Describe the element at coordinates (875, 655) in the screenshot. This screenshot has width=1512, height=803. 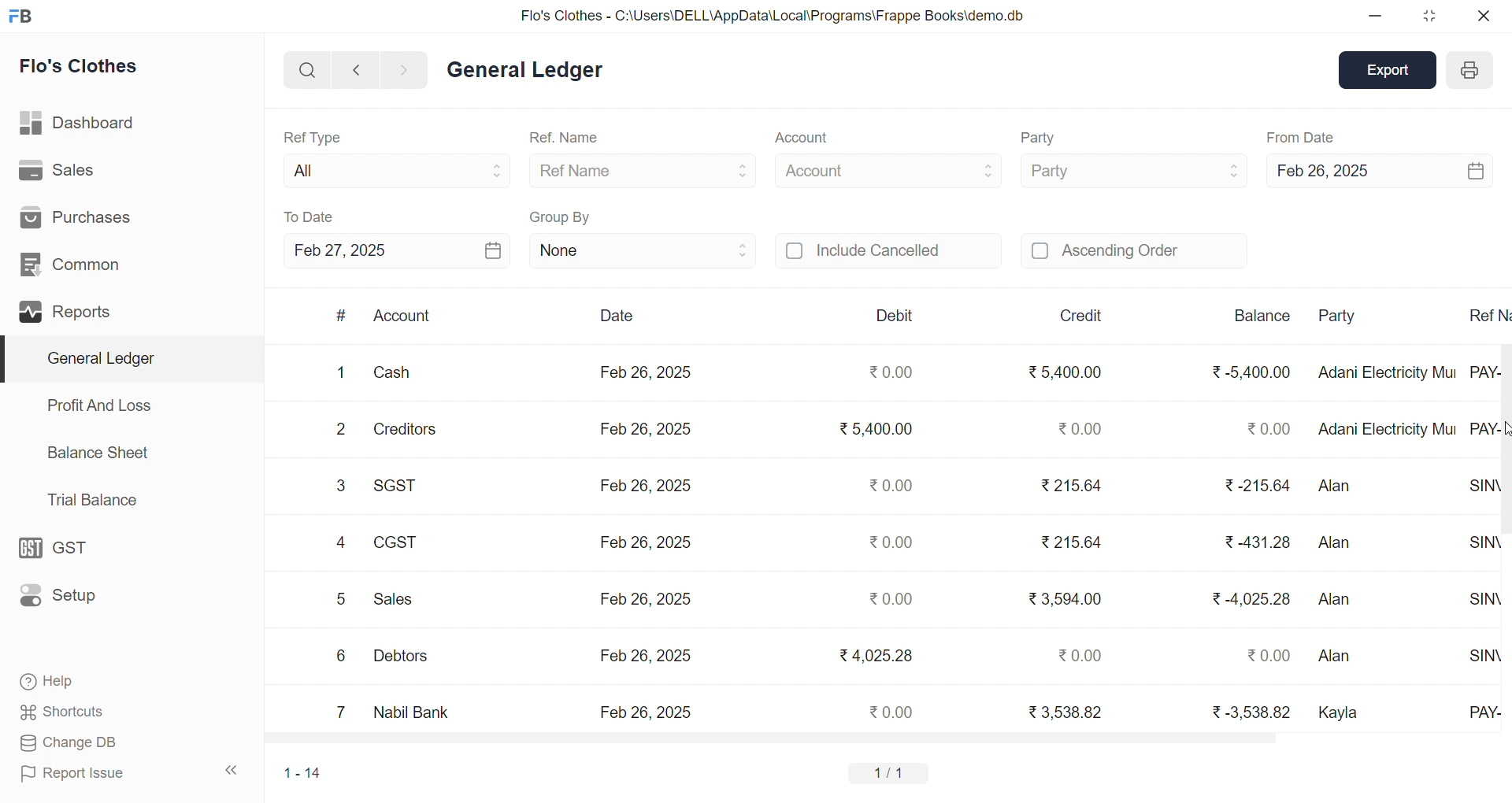
I see `₹4,025.28` at that location.